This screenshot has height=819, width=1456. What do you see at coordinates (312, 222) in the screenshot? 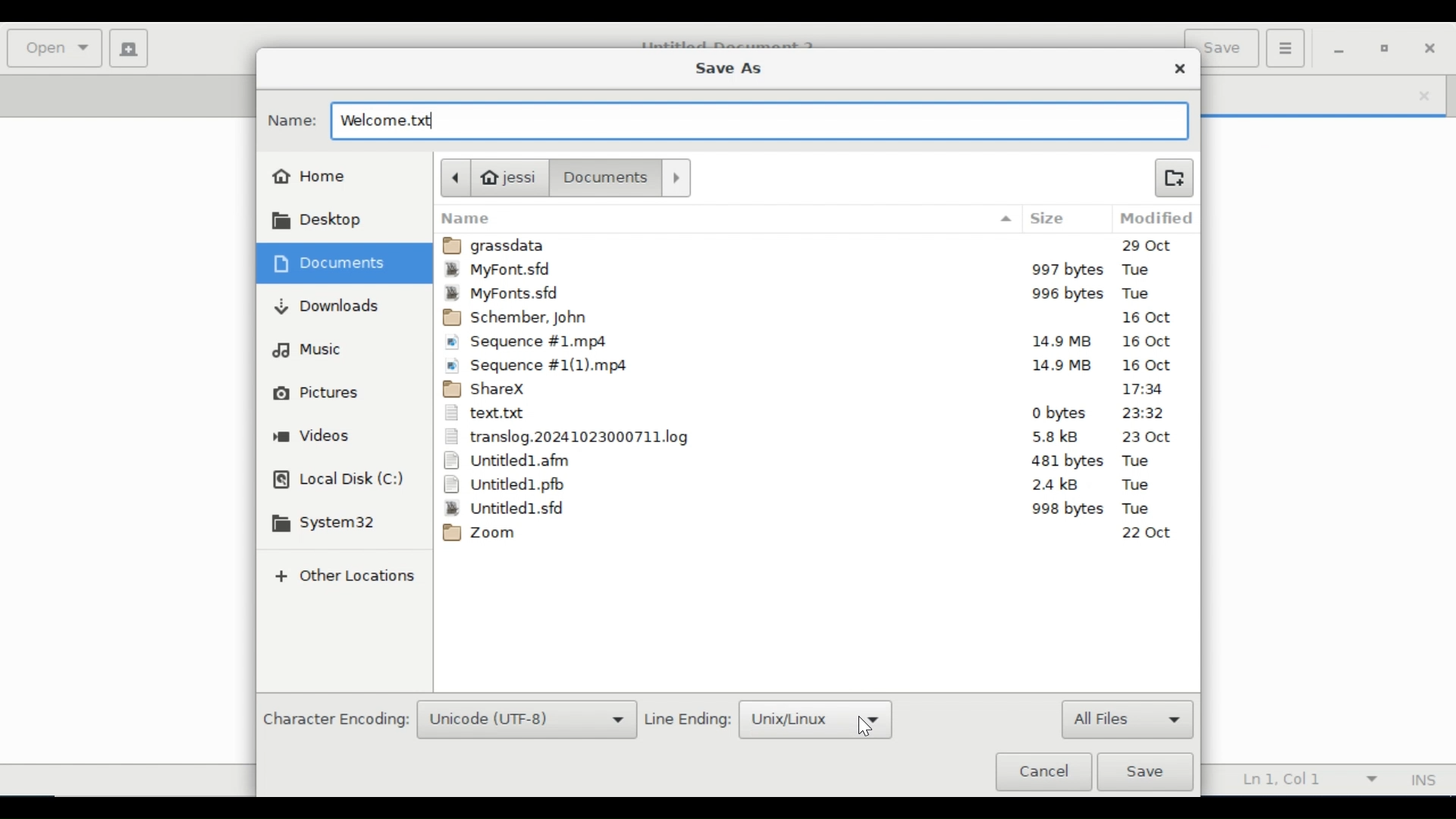
I see `Desktop` at bounding box center [312, 222].